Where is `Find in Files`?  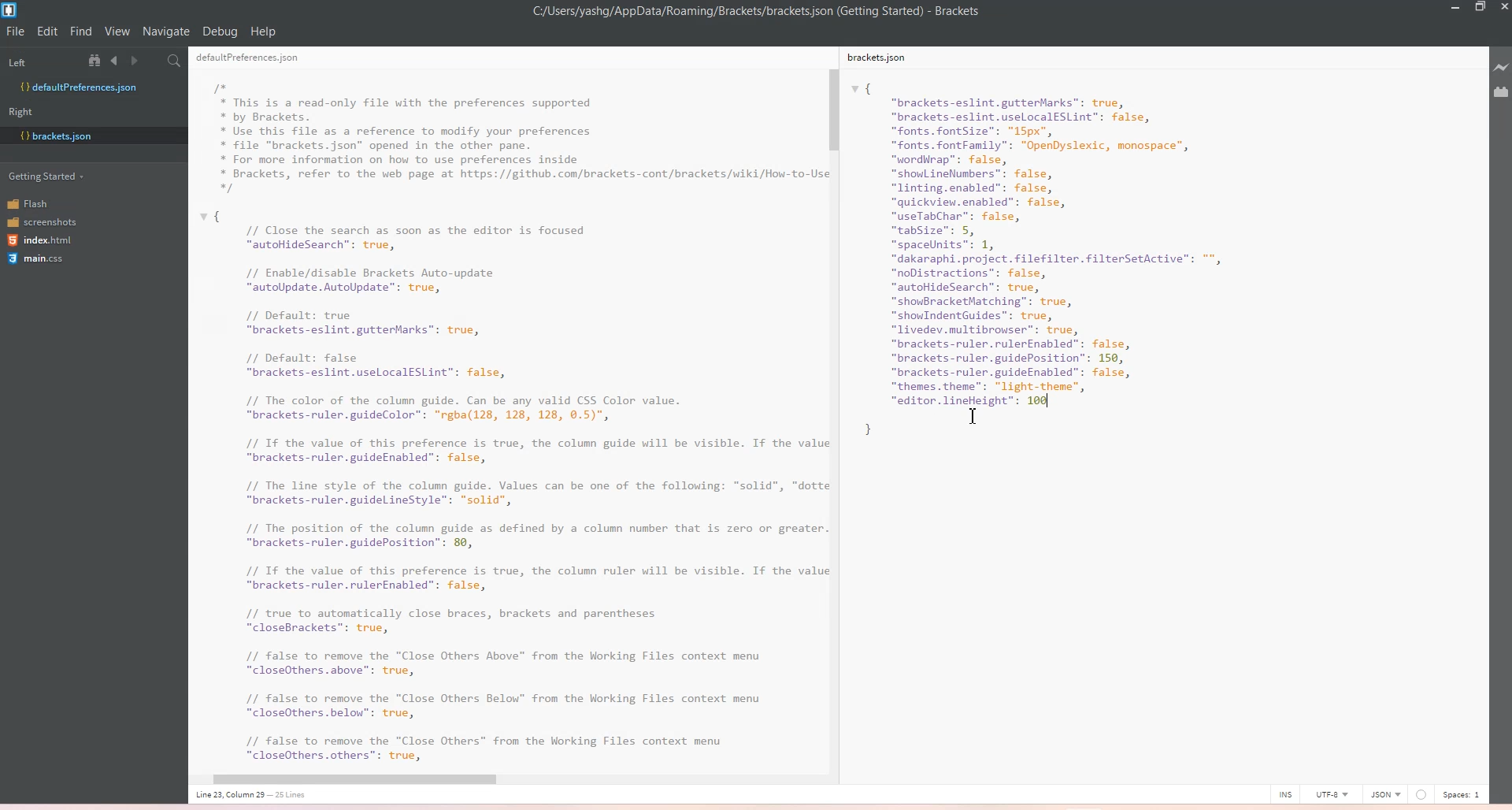 Find in Files is located at coordinates (176, 61).